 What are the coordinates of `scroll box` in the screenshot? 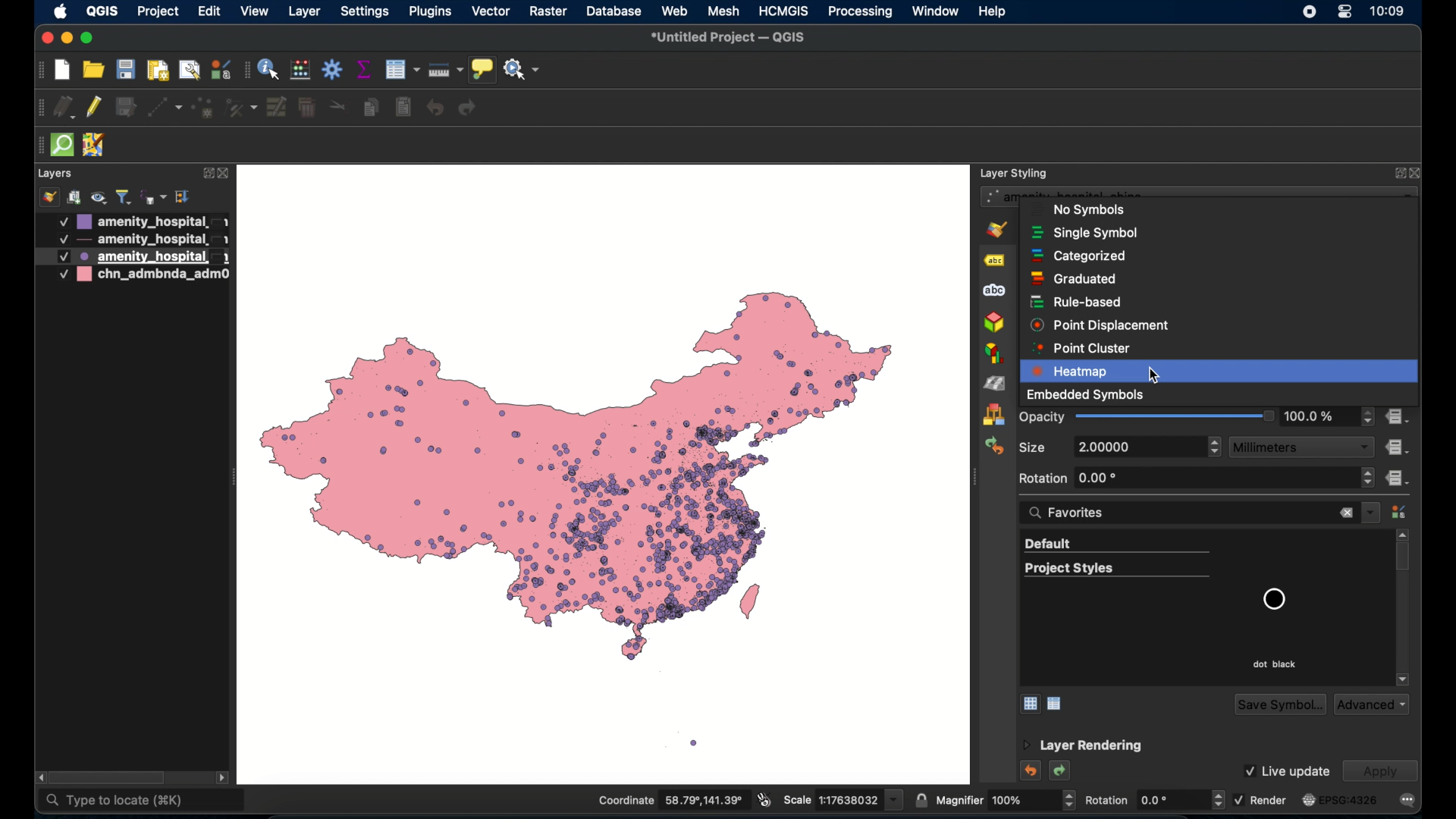 It's located at (1405, 560).